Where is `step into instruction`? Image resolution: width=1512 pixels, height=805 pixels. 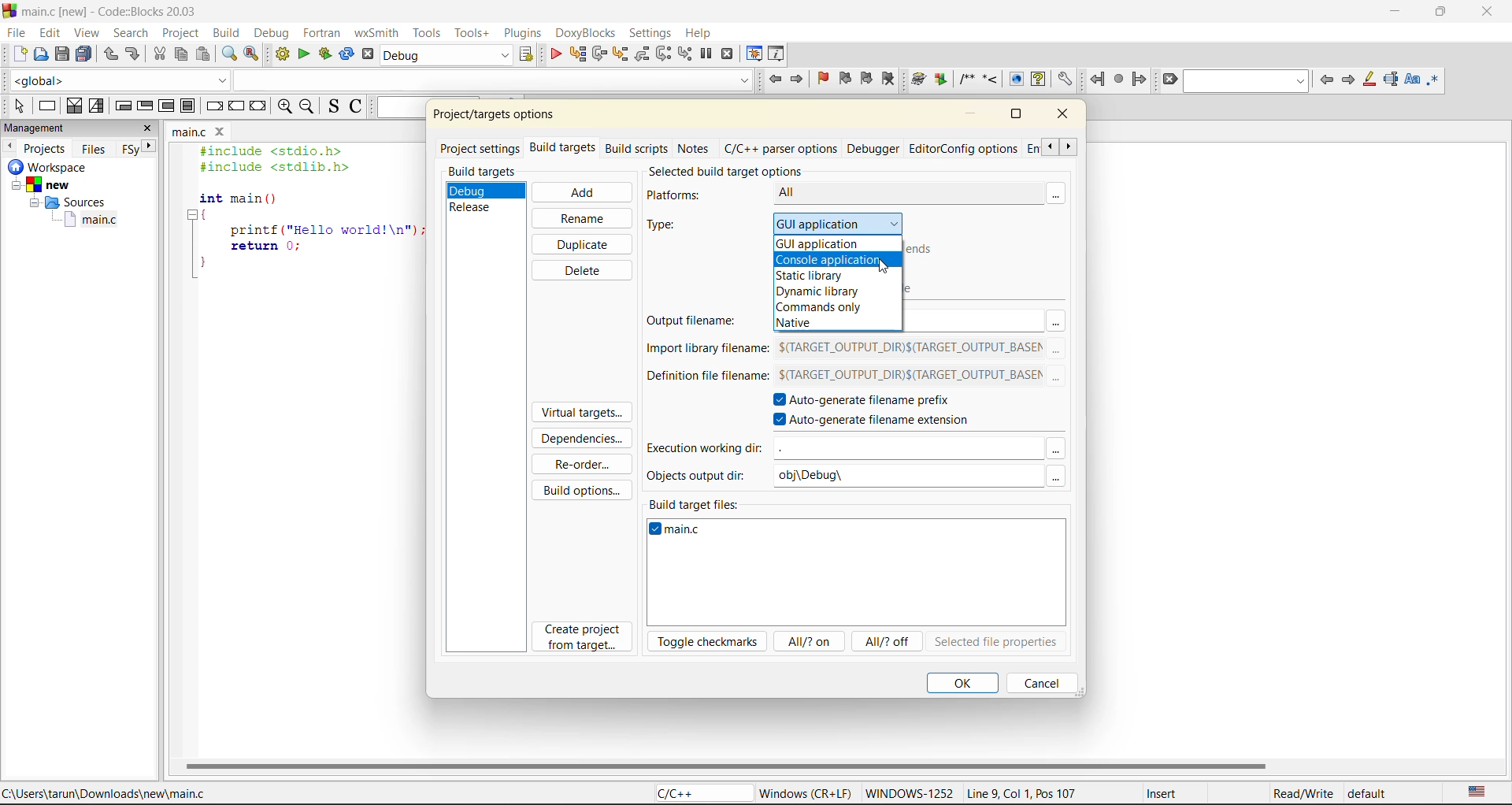
step into instruction is located at coordinates (685, 54).